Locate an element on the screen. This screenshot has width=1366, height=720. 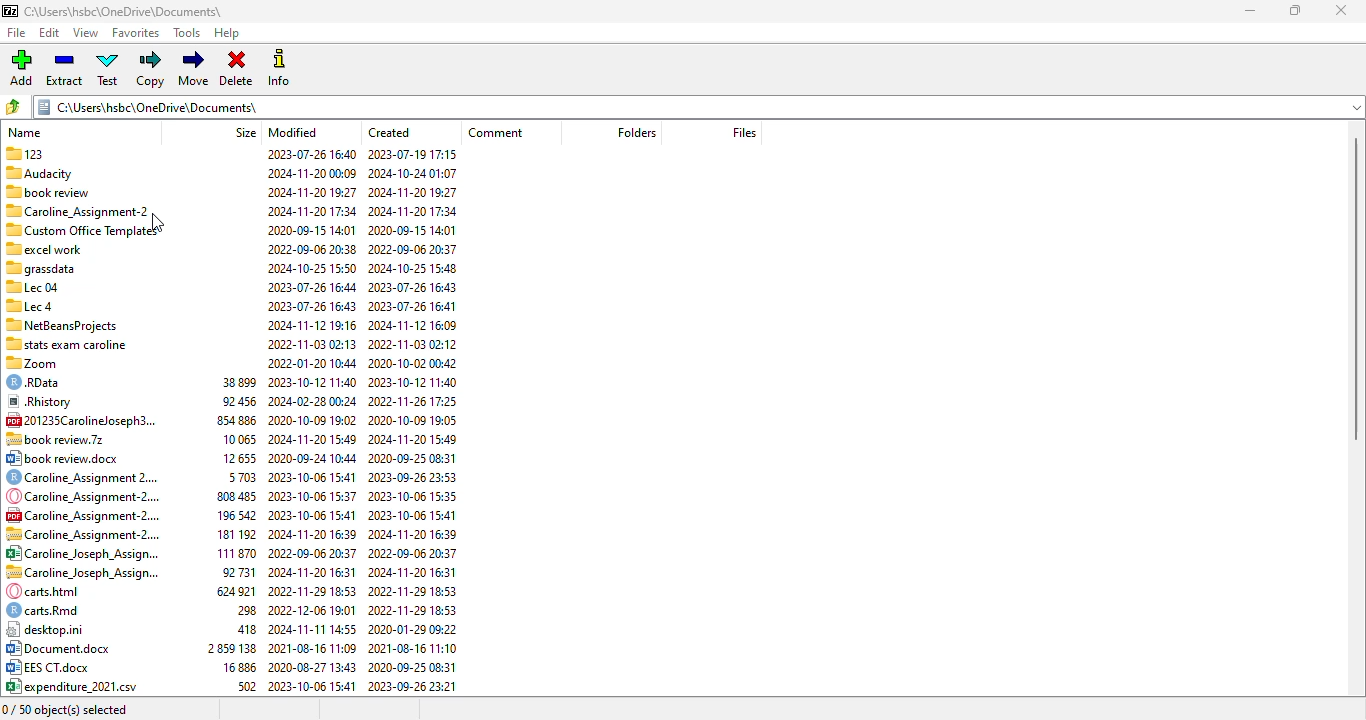
2024-11-2017:34 is located at coordinates (419, 211).